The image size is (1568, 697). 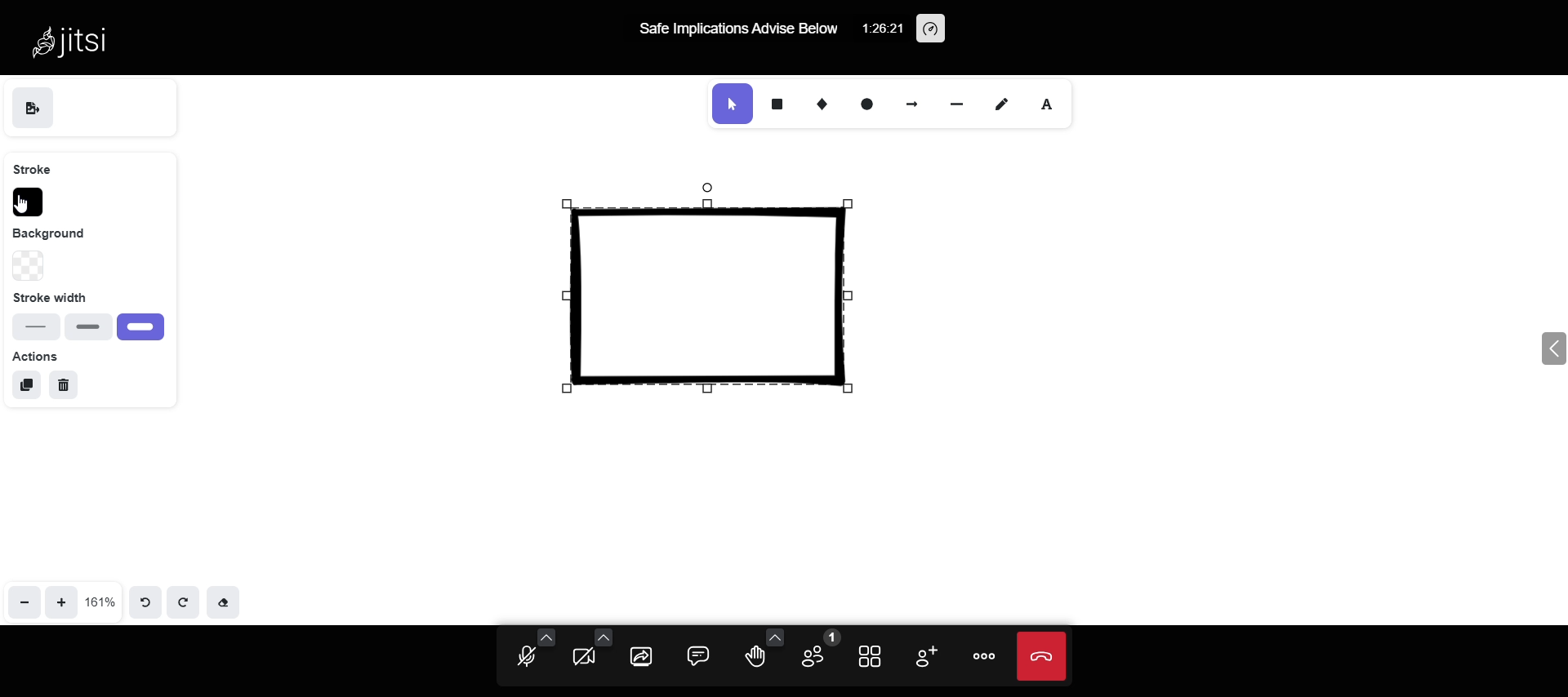 I want to click on Safe Implications Advise Below, so click(x=733, y=28).